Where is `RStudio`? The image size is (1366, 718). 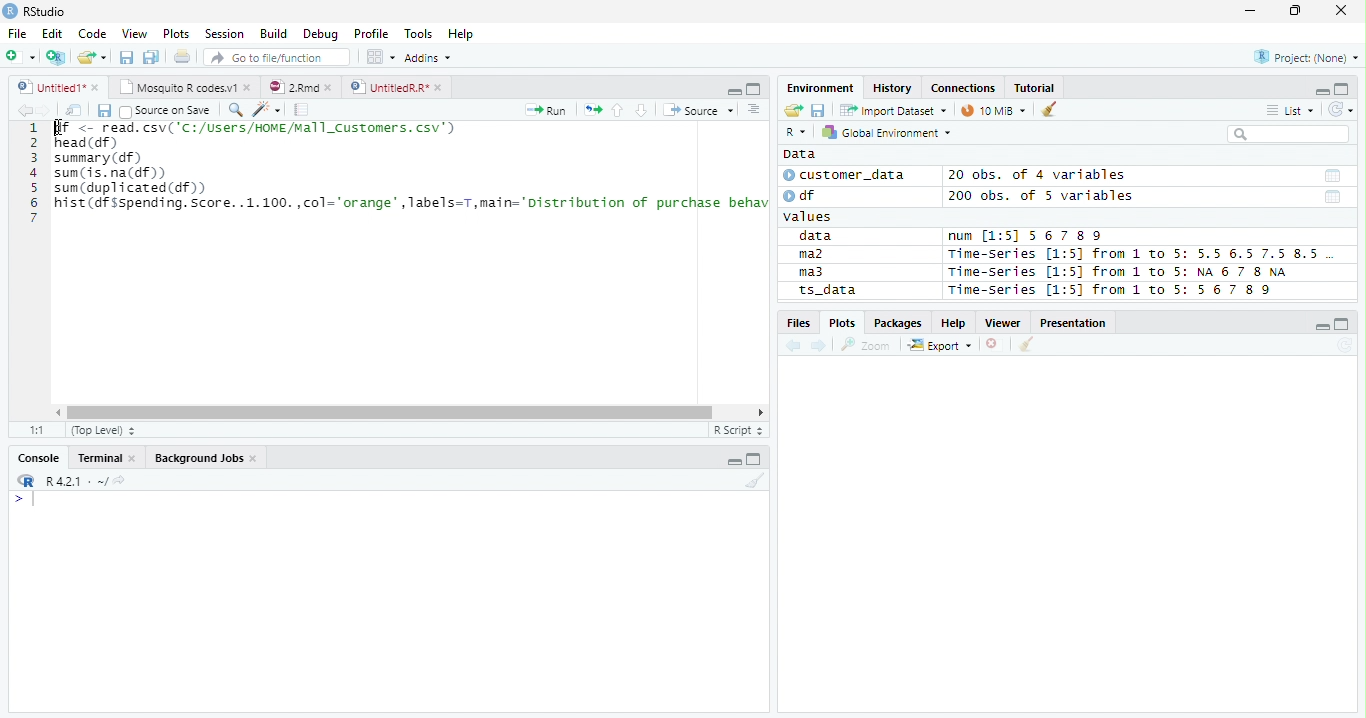
RStudio is located at coordinates (35, 12).